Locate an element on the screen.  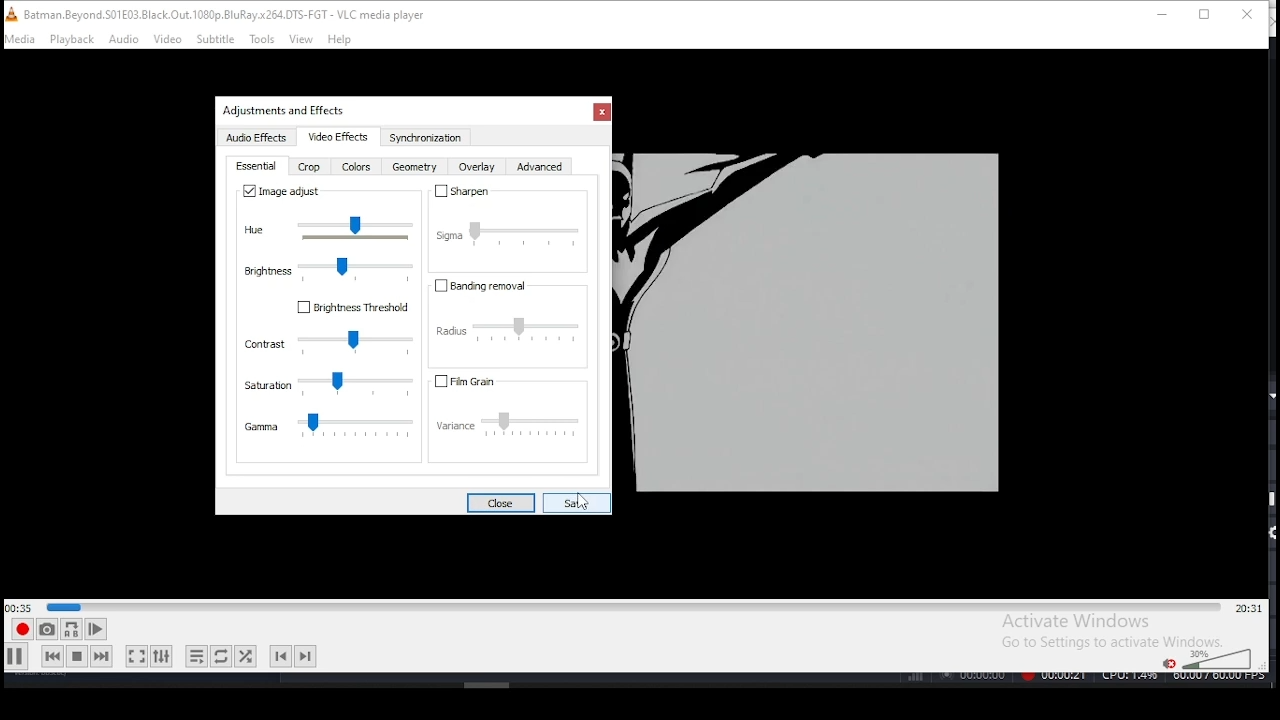
frame by frame is located at coordinates (94, 629).